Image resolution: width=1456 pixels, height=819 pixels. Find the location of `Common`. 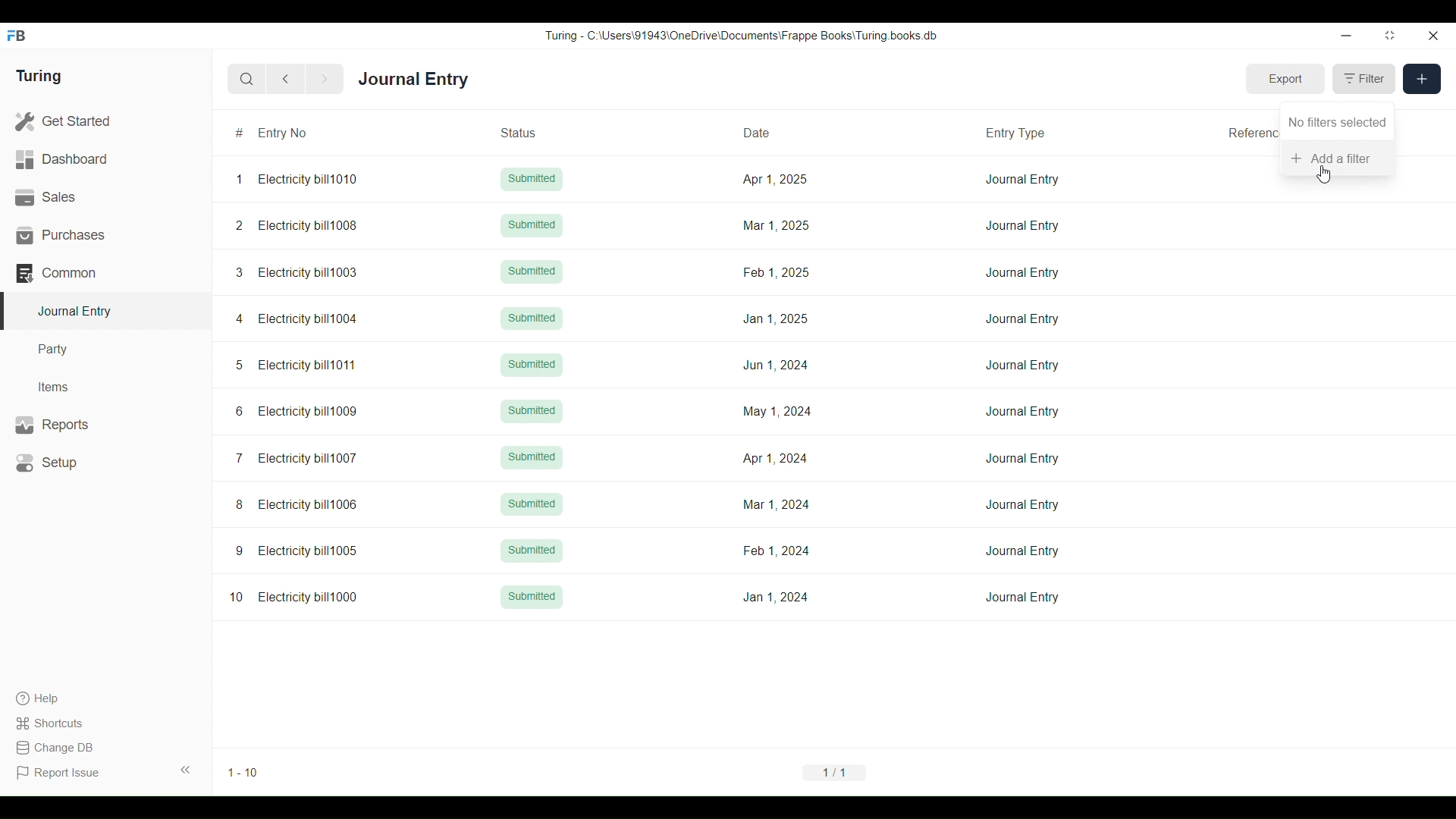

Common is located at coordinates (105, 273).